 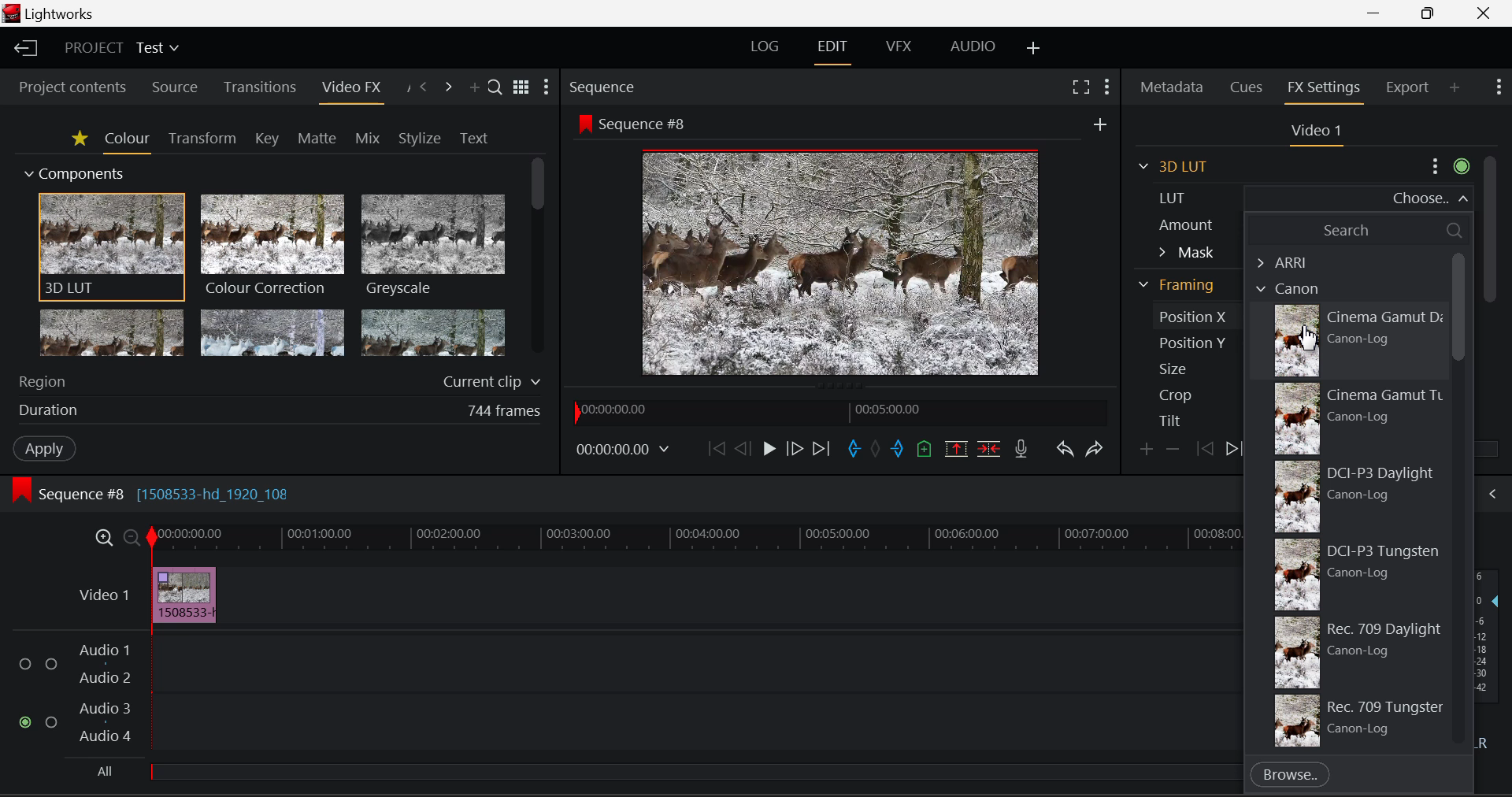 I want to click on Close, so click(x=1489, y=13).